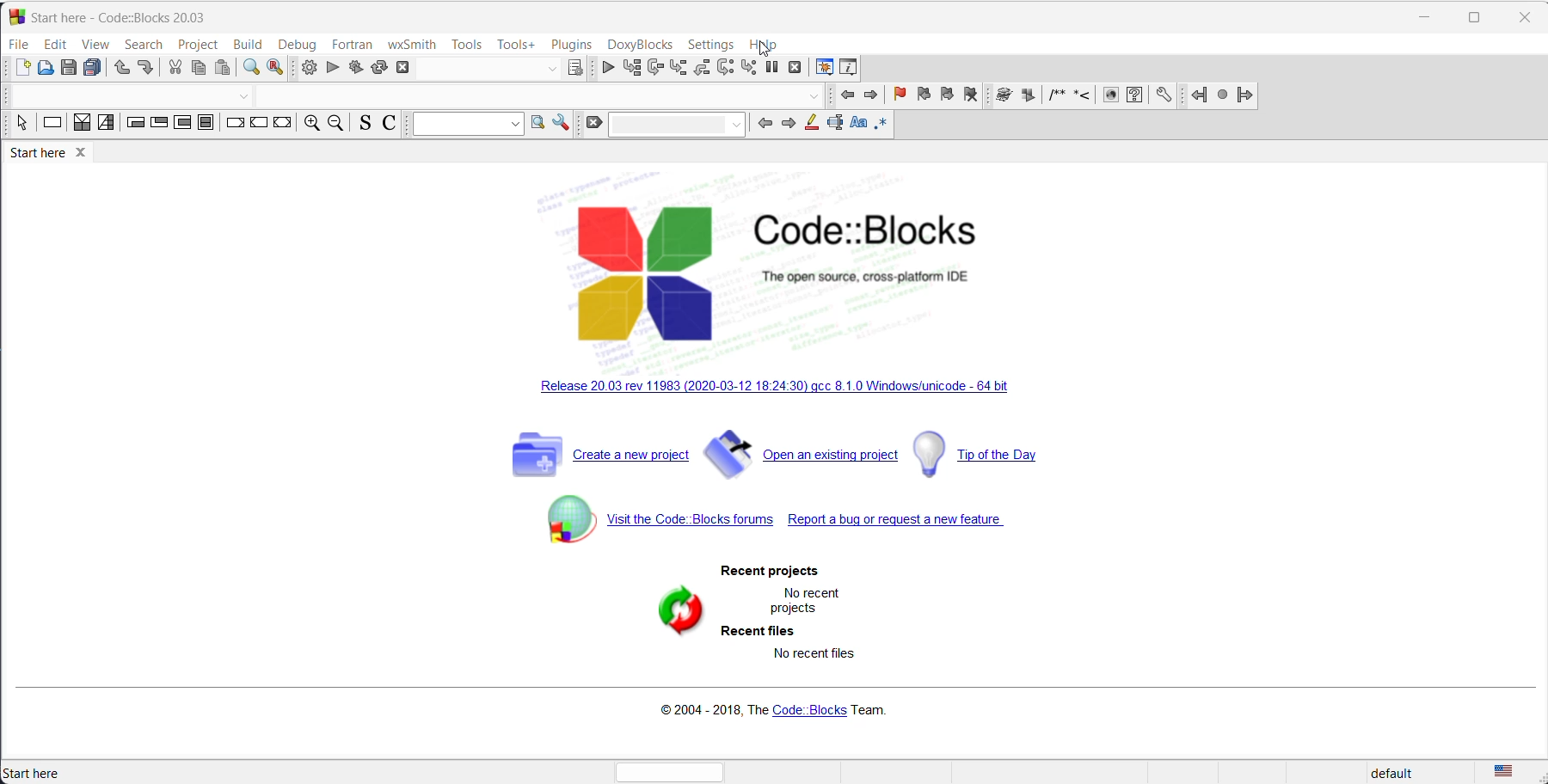 The width and height of the screenshot is (1548, 784). I want to click on add bookmark, so click(900, 95).